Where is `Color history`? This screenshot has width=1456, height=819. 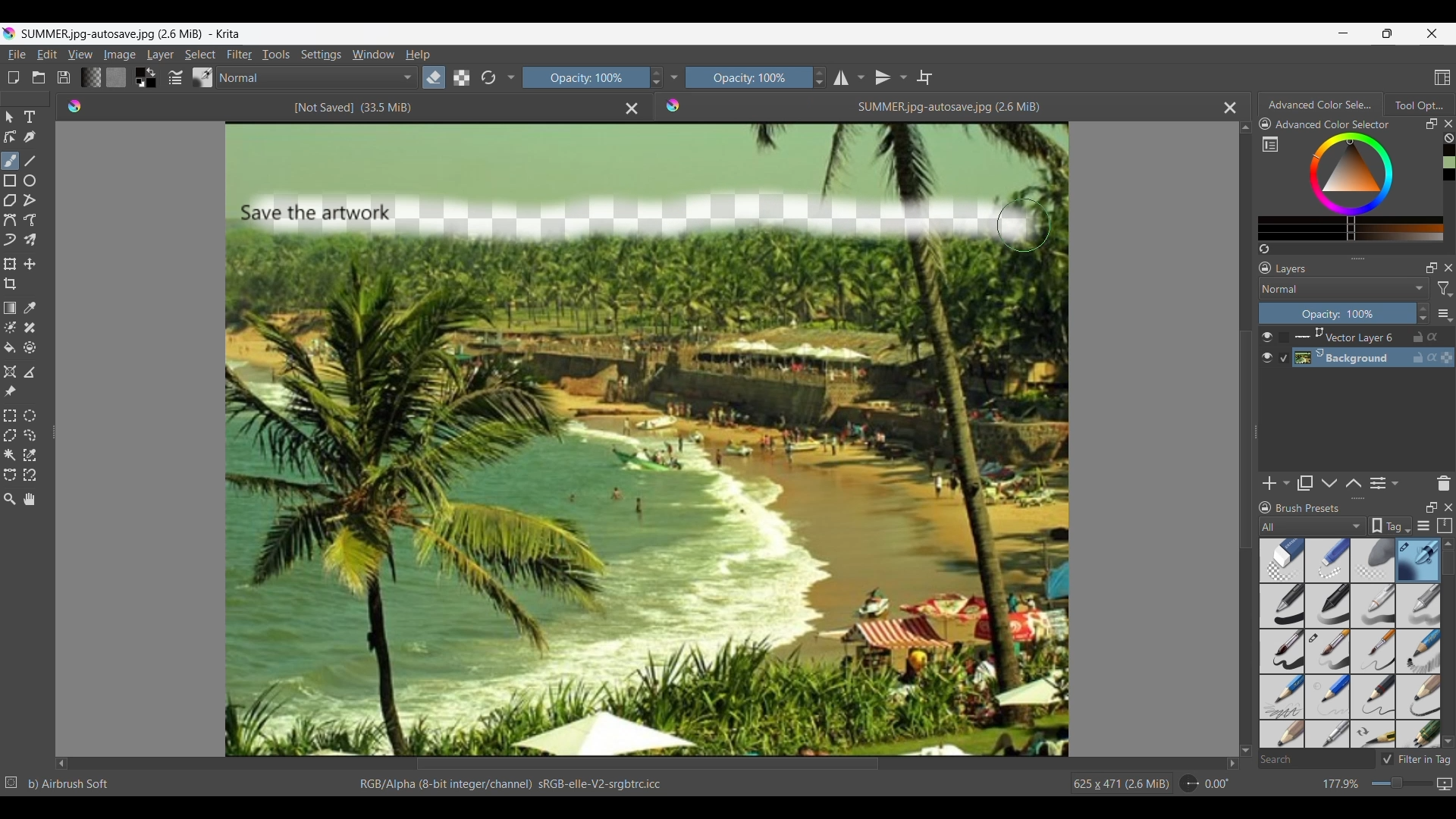 Color history is located at coordinates (1448, 162).